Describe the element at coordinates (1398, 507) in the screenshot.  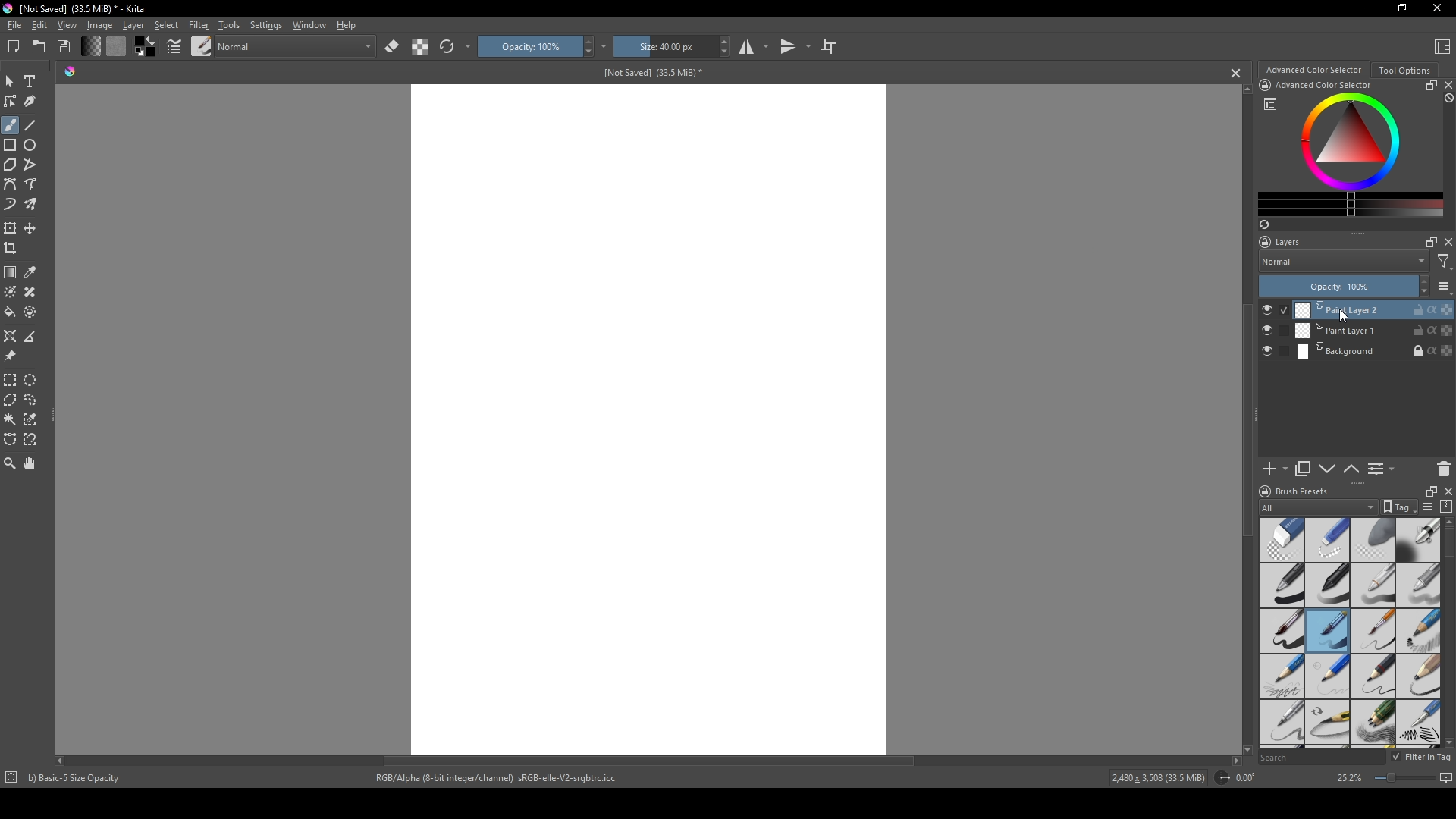
I see `tag` at that location.